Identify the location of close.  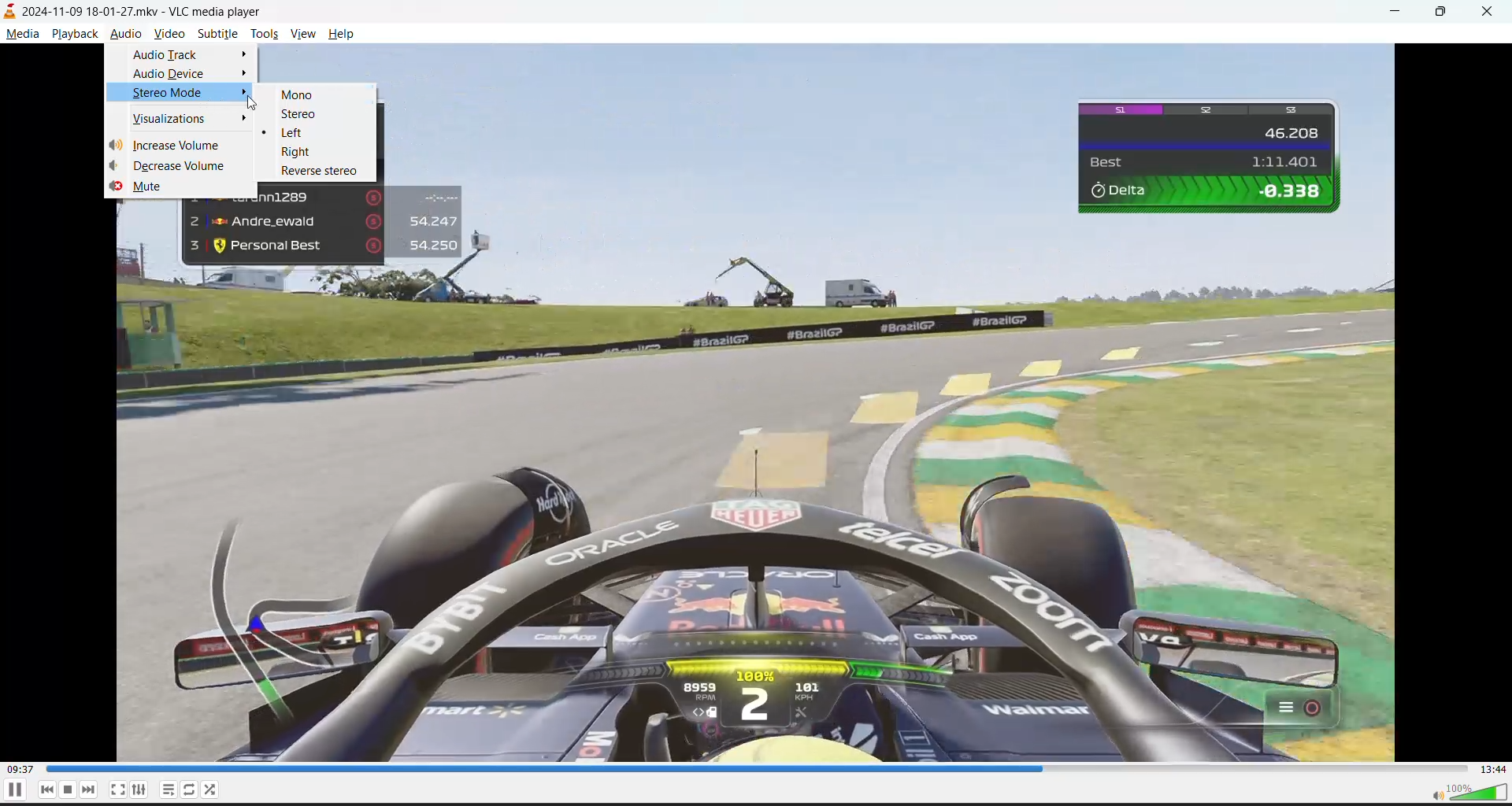
(1488, 13).